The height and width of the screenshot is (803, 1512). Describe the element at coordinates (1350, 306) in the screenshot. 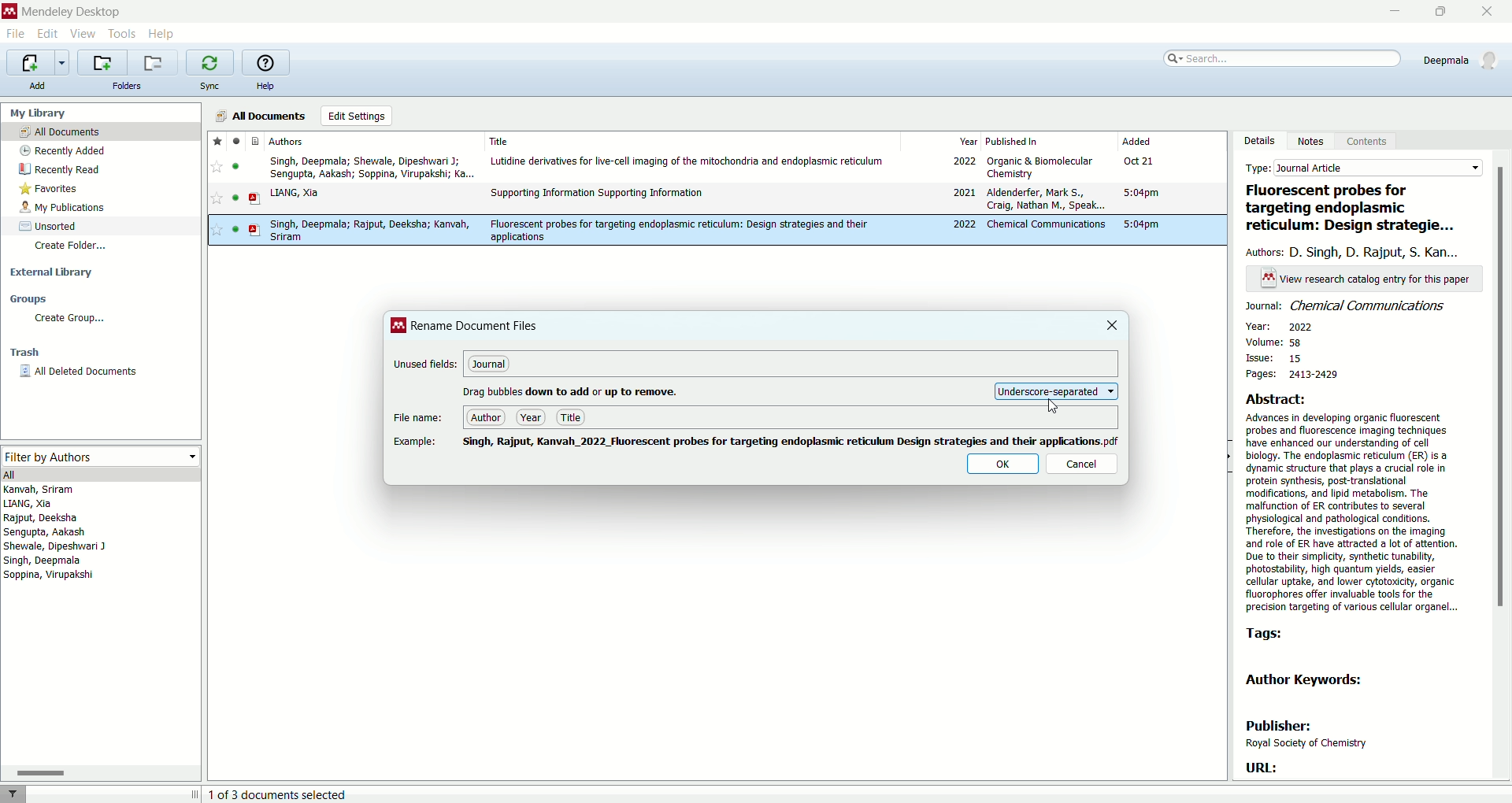

I see `journal name` at that location.